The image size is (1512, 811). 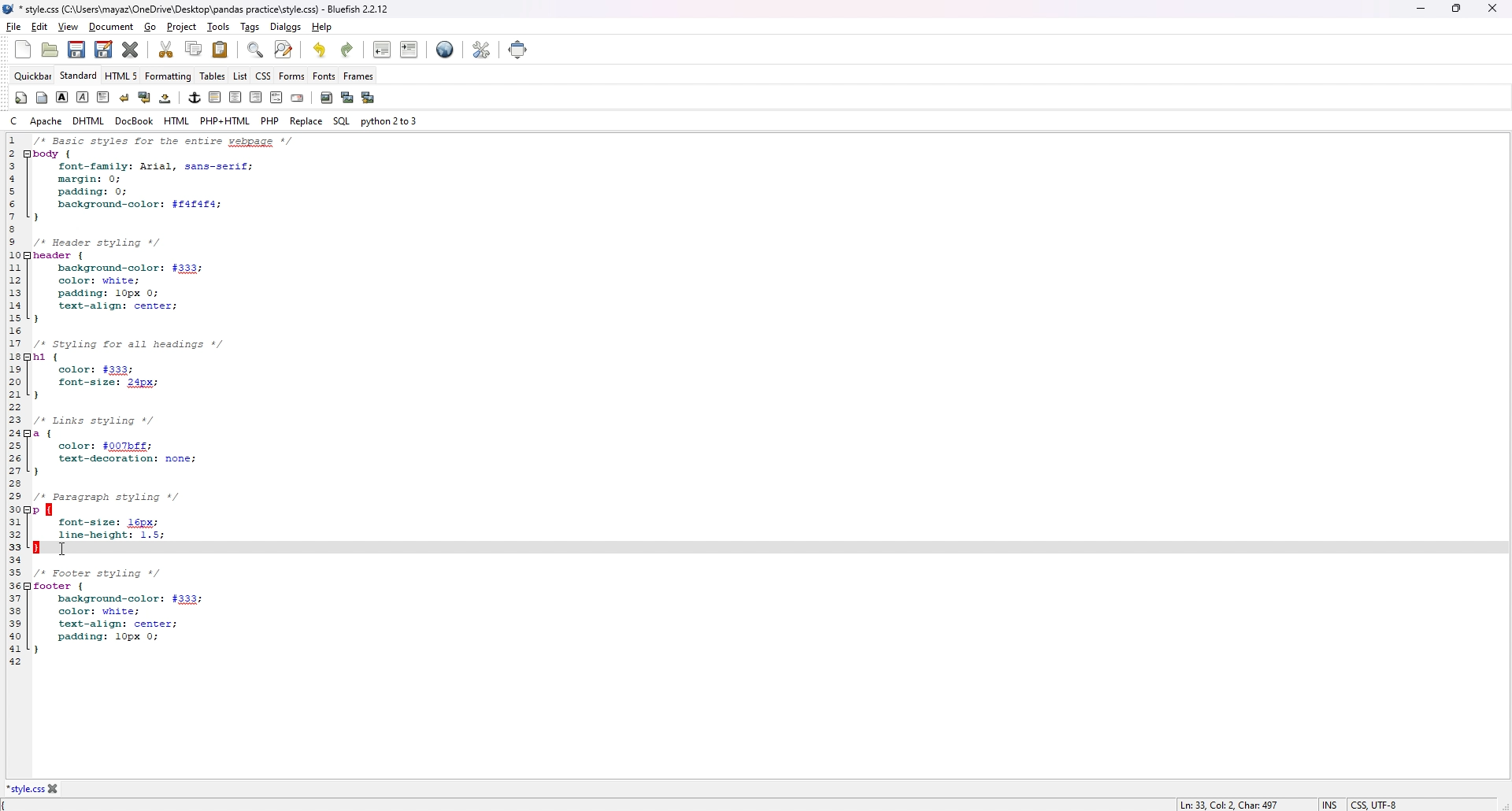 What do you see at coordinates (62, 550) in the screenshot?
I see `cursor` at bounding box center [62, 550].